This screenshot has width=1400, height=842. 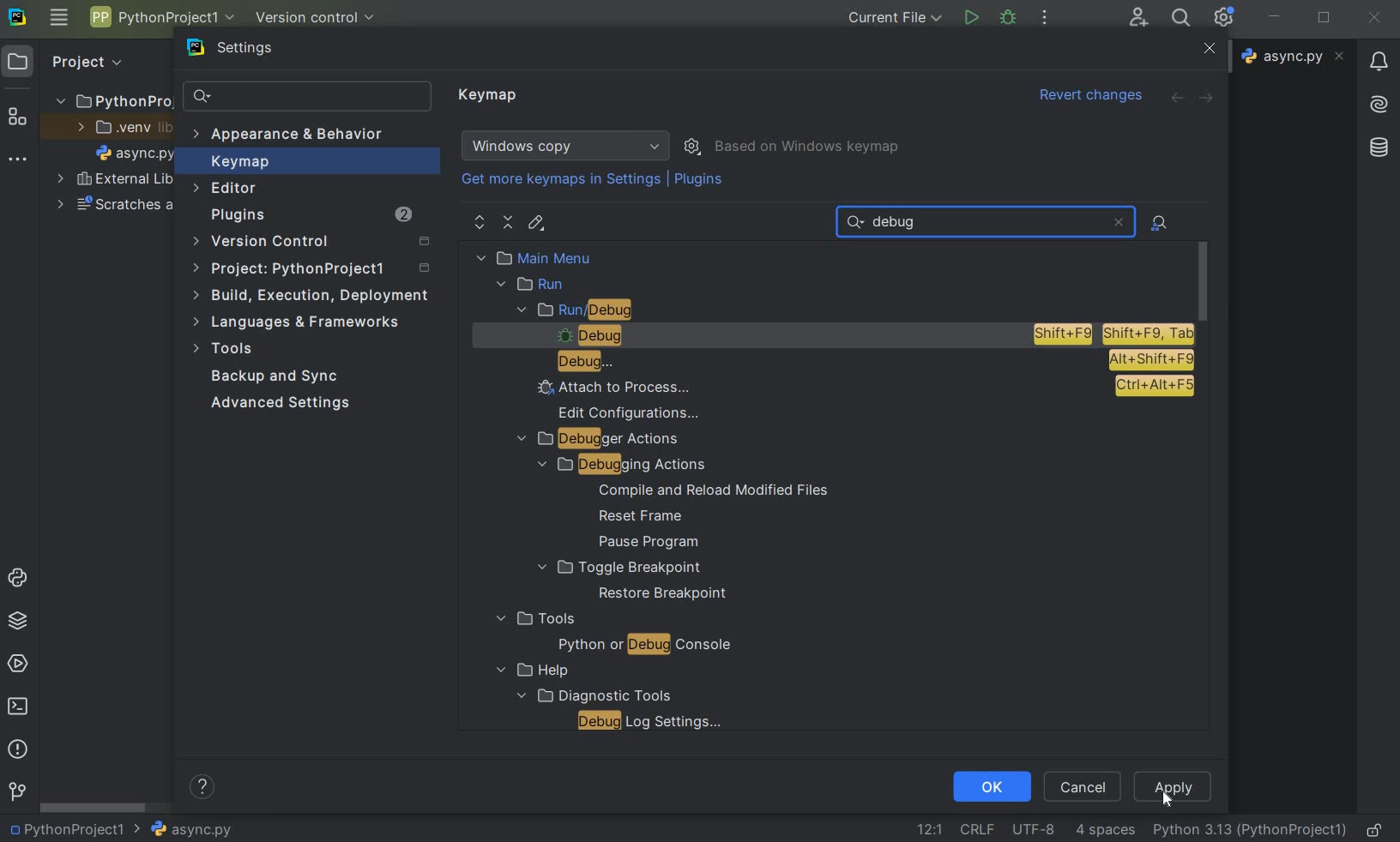 I want to click on debugger actions, so click(x=599, y=440).